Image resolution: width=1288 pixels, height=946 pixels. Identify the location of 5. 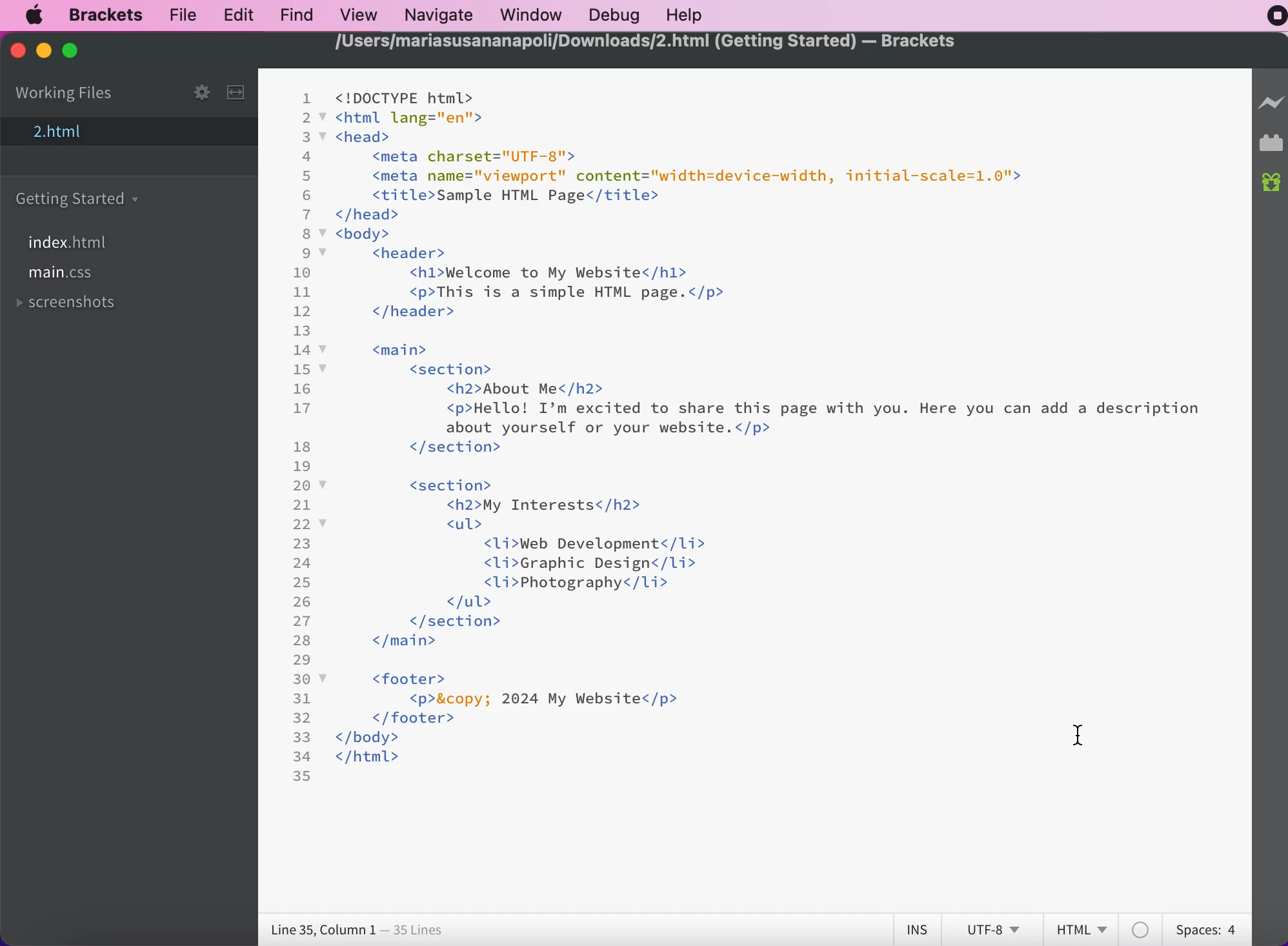
(306, 176).